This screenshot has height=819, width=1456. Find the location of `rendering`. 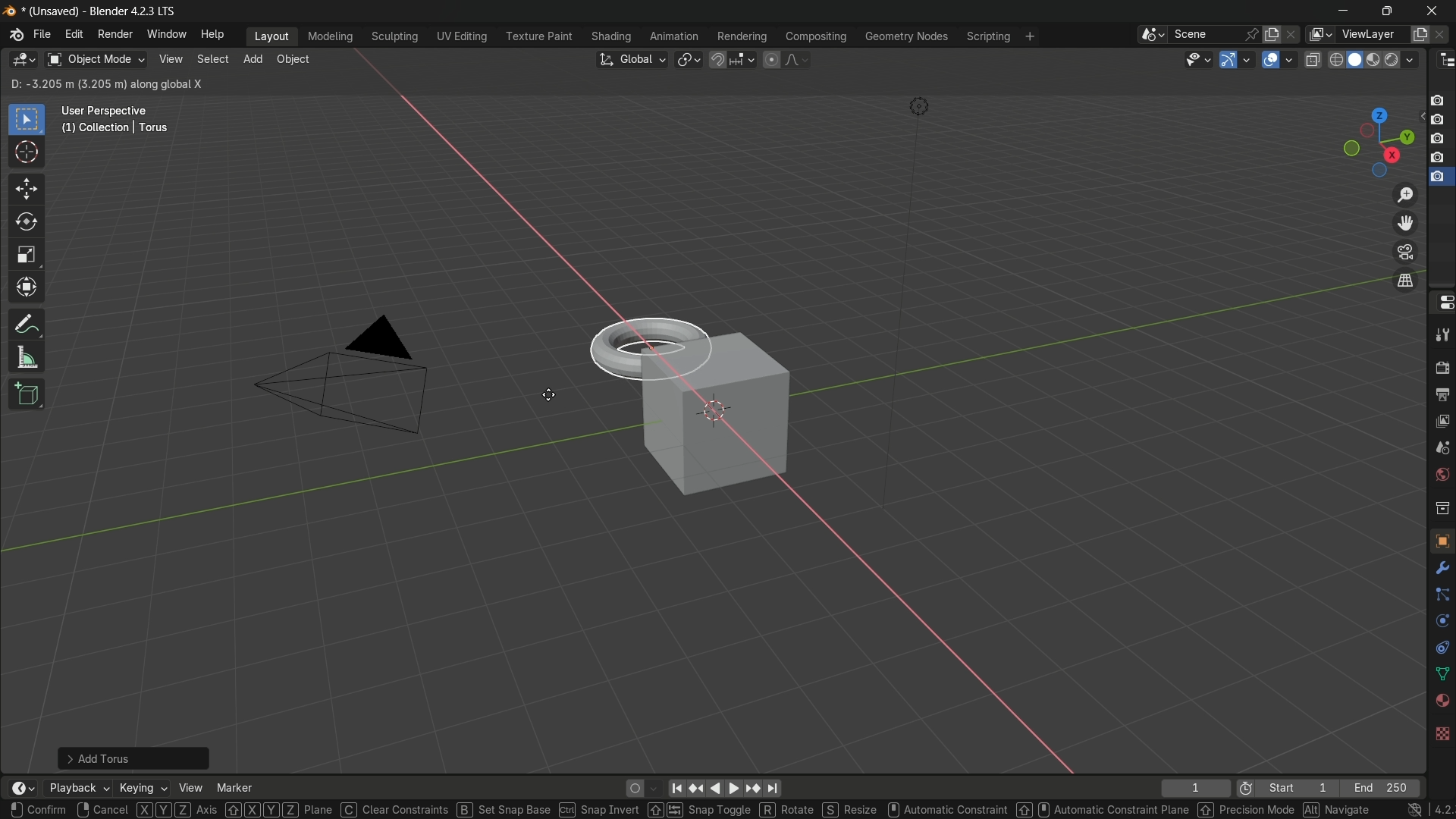

rendering is located at coordinates (742, 37).